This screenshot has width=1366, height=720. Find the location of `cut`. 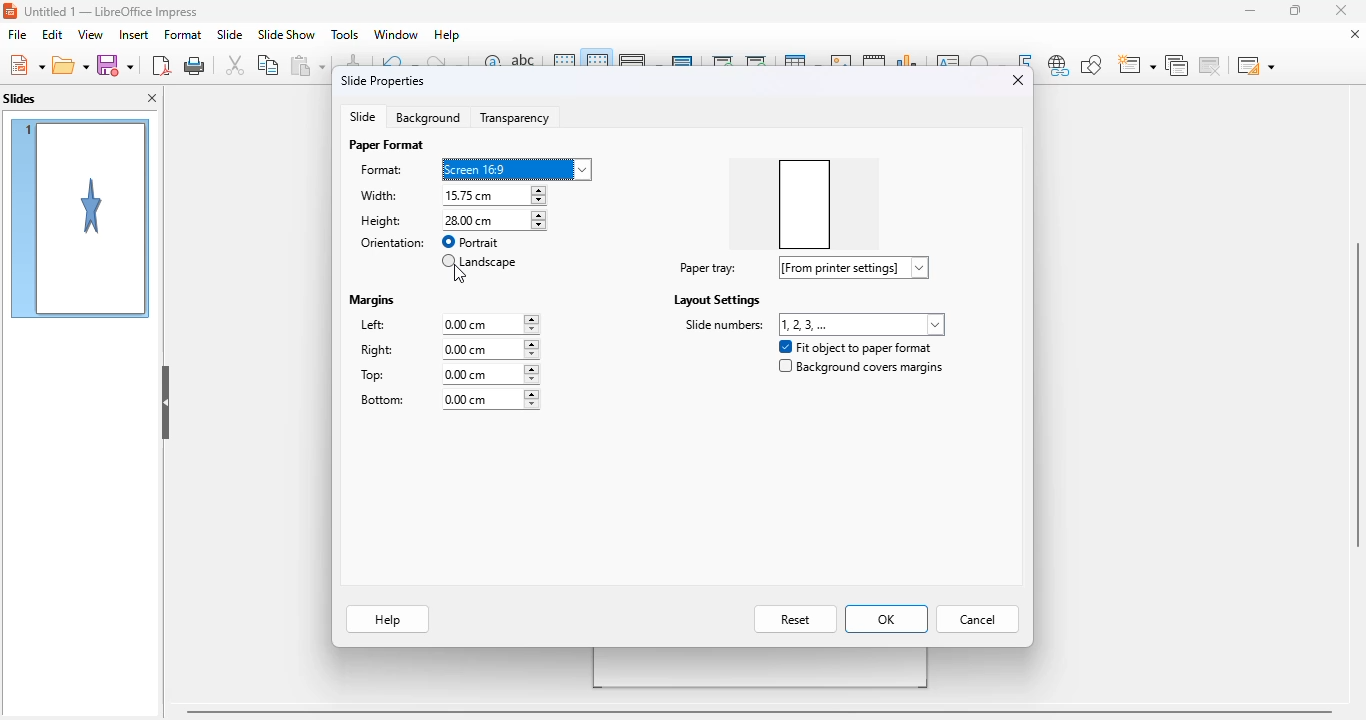

cut is located at coordinates (236, 65).